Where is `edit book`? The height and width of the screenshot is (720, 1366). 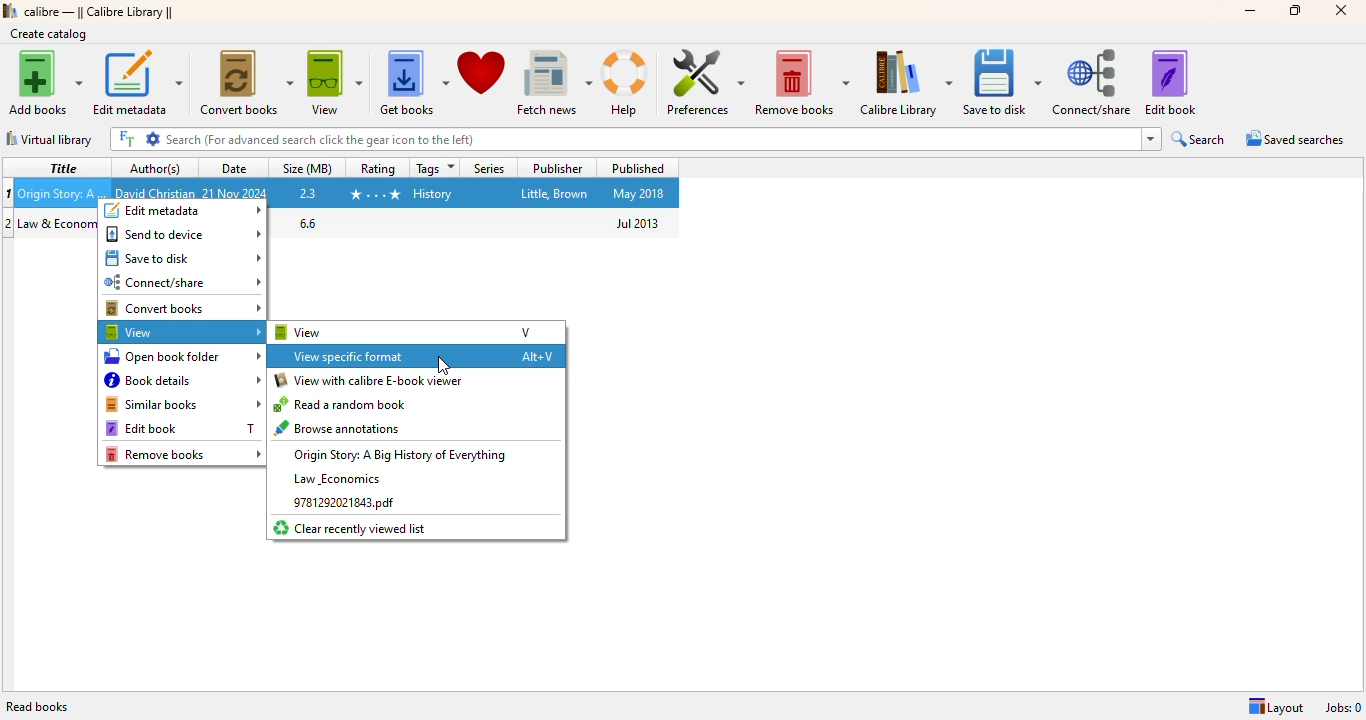
edit book is located at coordinates (141, 429).